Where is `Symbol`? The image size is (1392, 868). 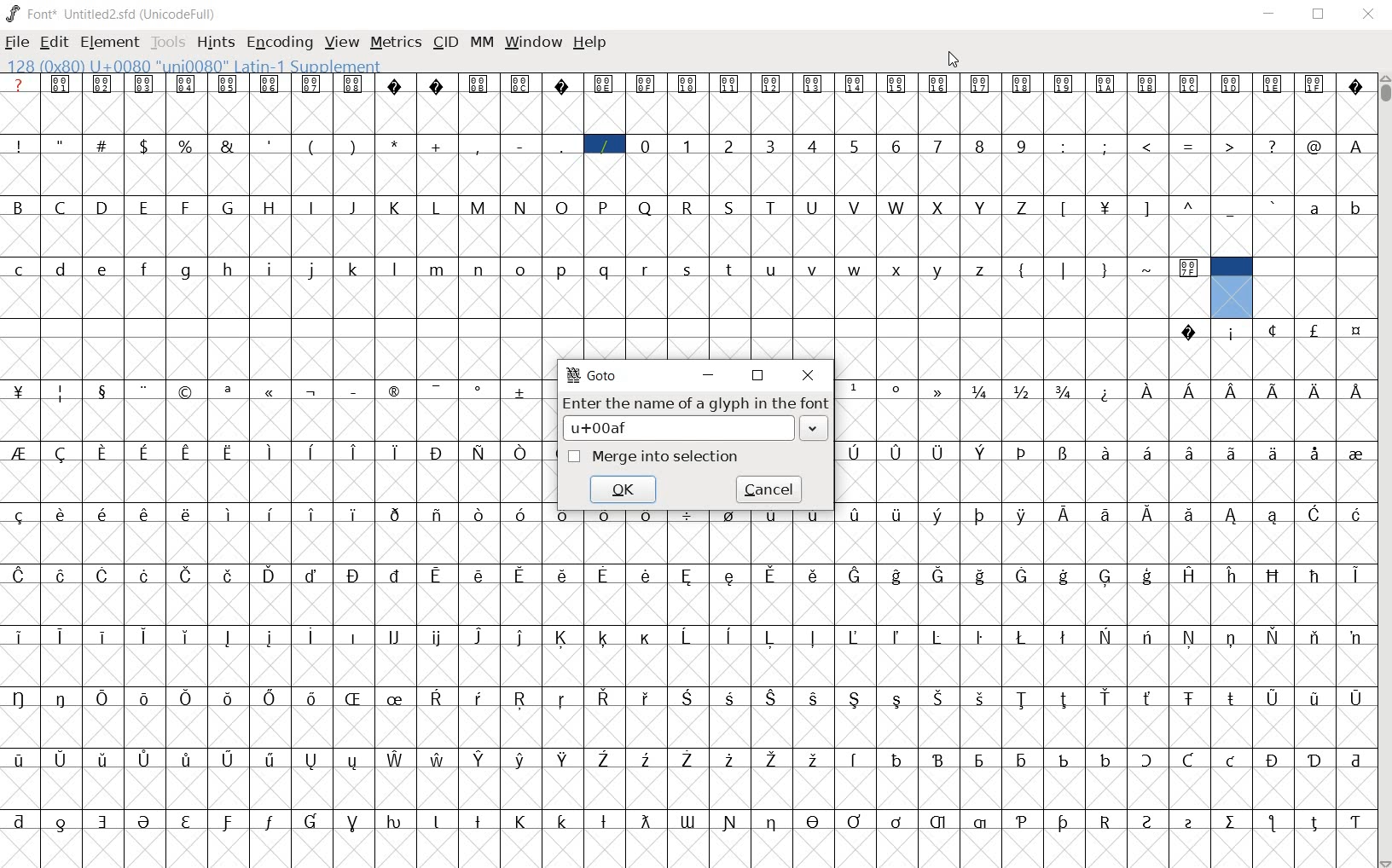
Symbol is located at coordinates (773, 697).